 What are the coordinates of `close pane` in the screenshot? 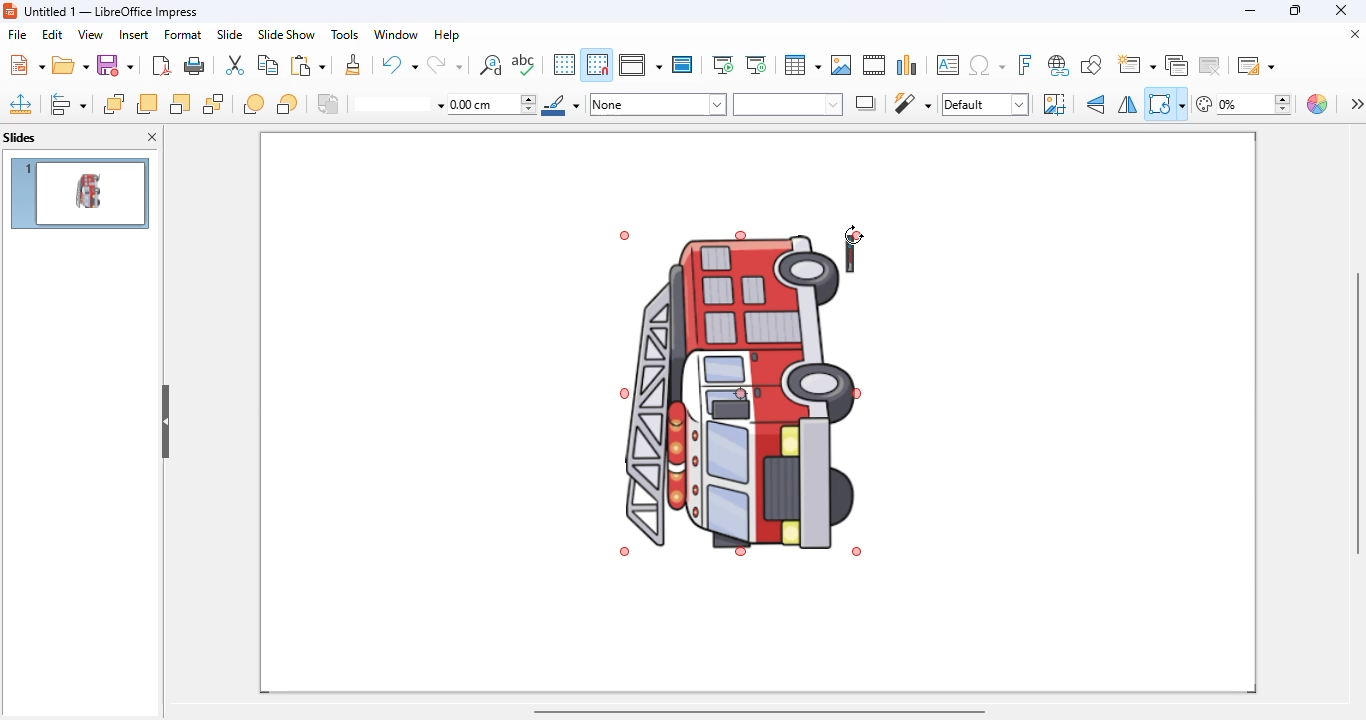 It's located at (152, 137).